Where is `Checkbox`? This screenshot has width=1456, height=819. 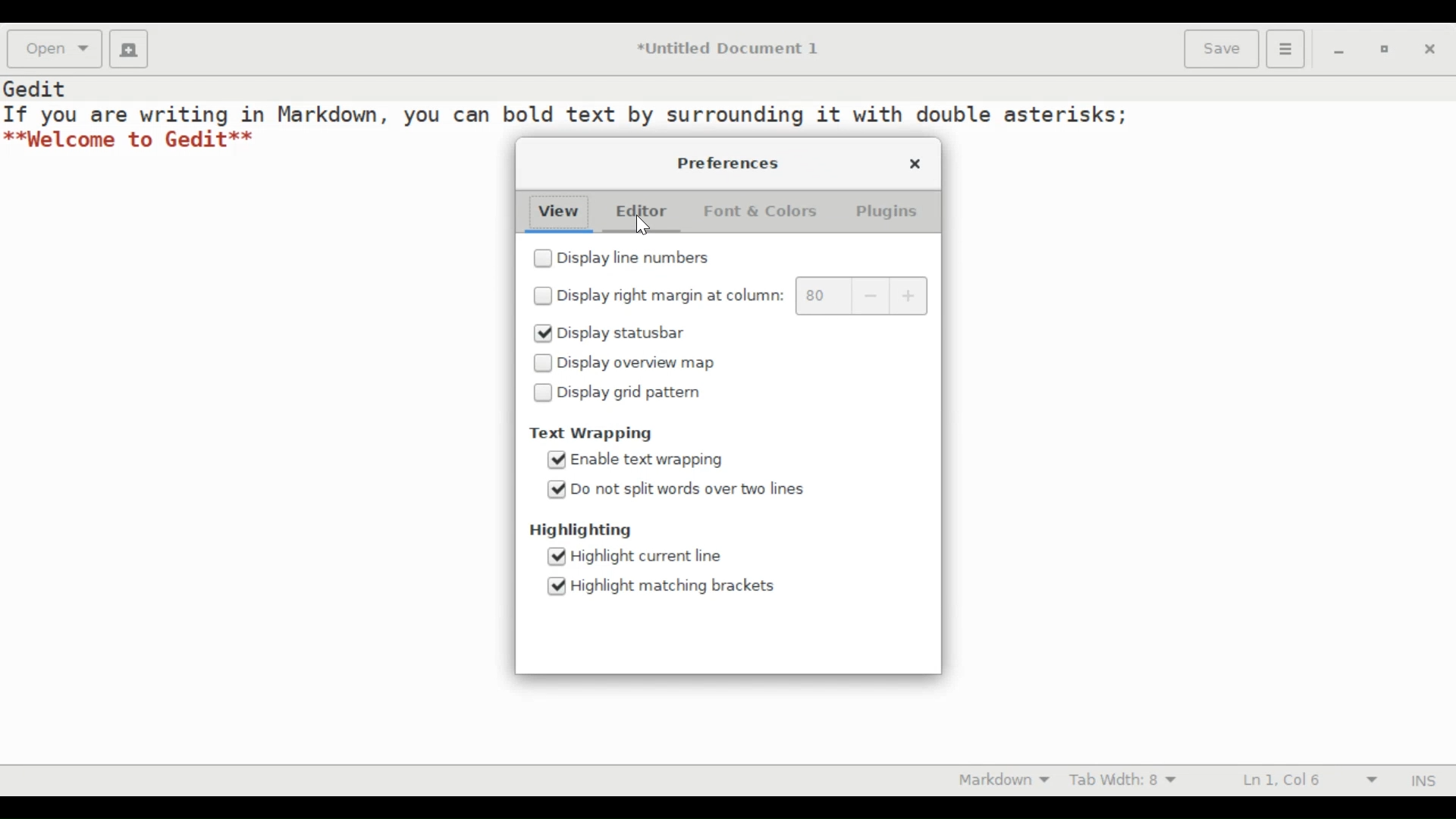
Checkbox is located at coordinates (543, 296).